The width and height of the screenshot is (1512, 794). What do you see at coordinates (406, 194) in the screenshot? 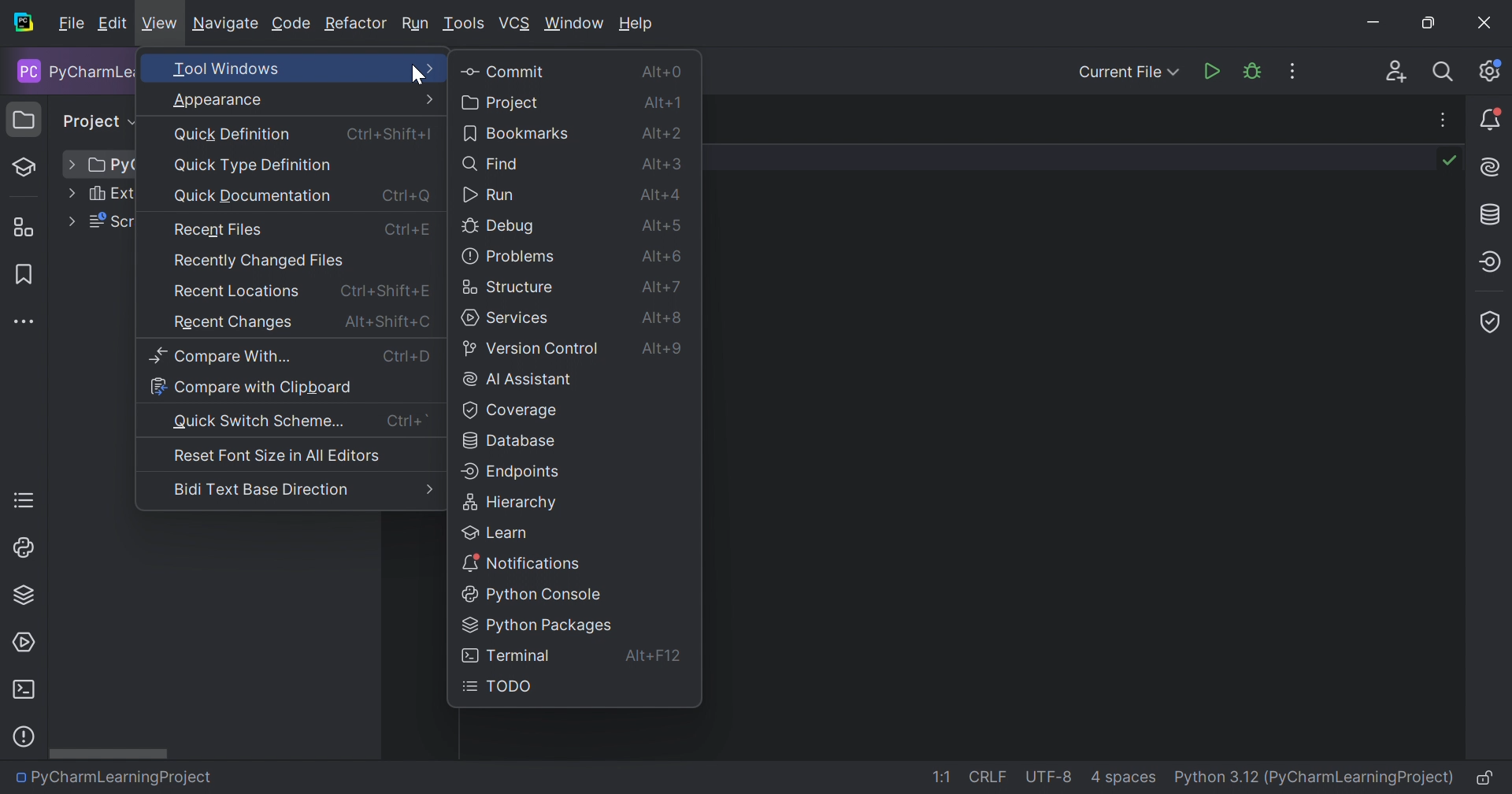
I see `Ctrl+Q` at bounding box center [406, 194].